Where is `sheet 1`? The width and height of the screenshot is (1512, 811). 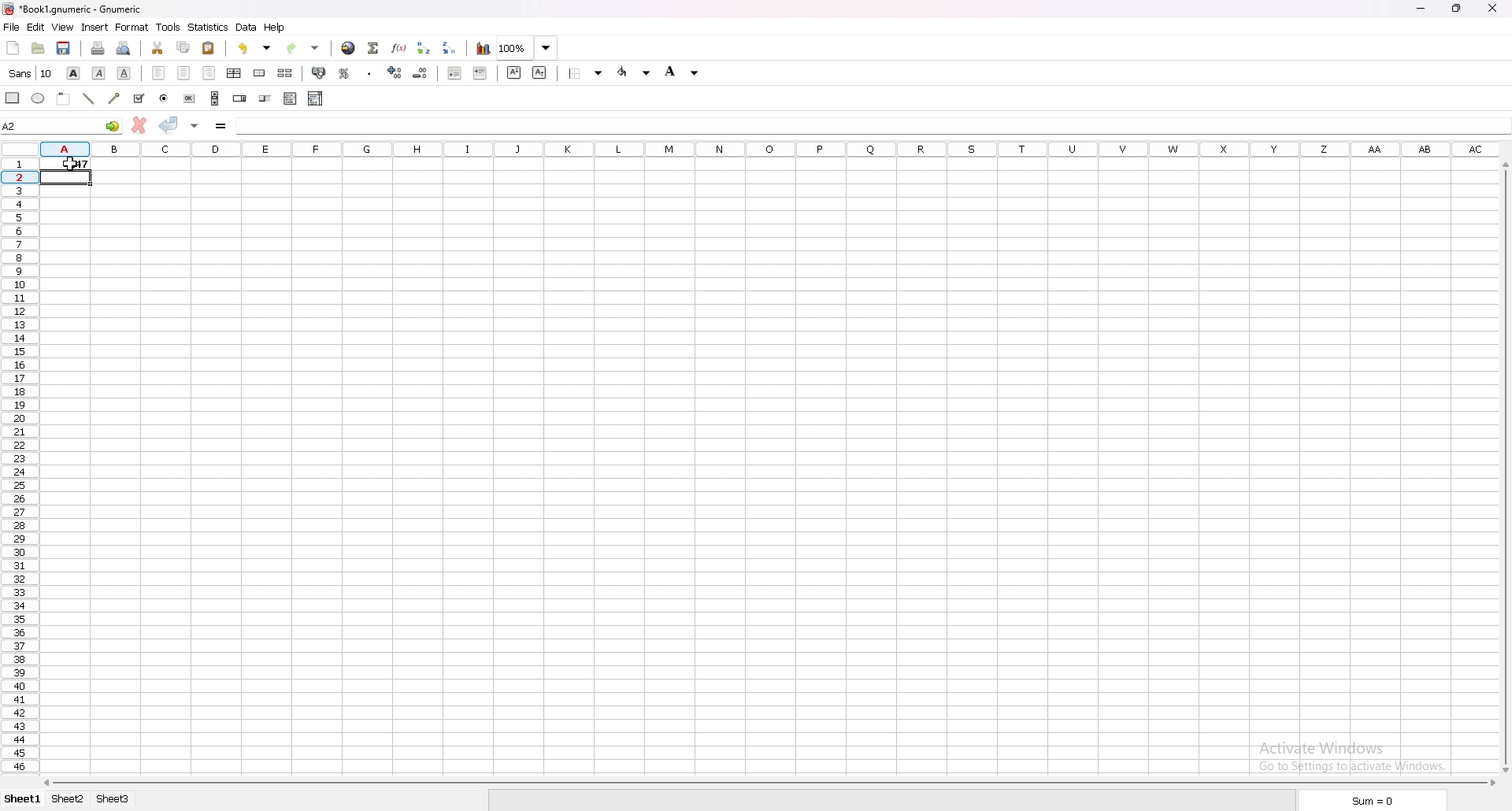
sheet 1 is located at coordinates (24, 800).